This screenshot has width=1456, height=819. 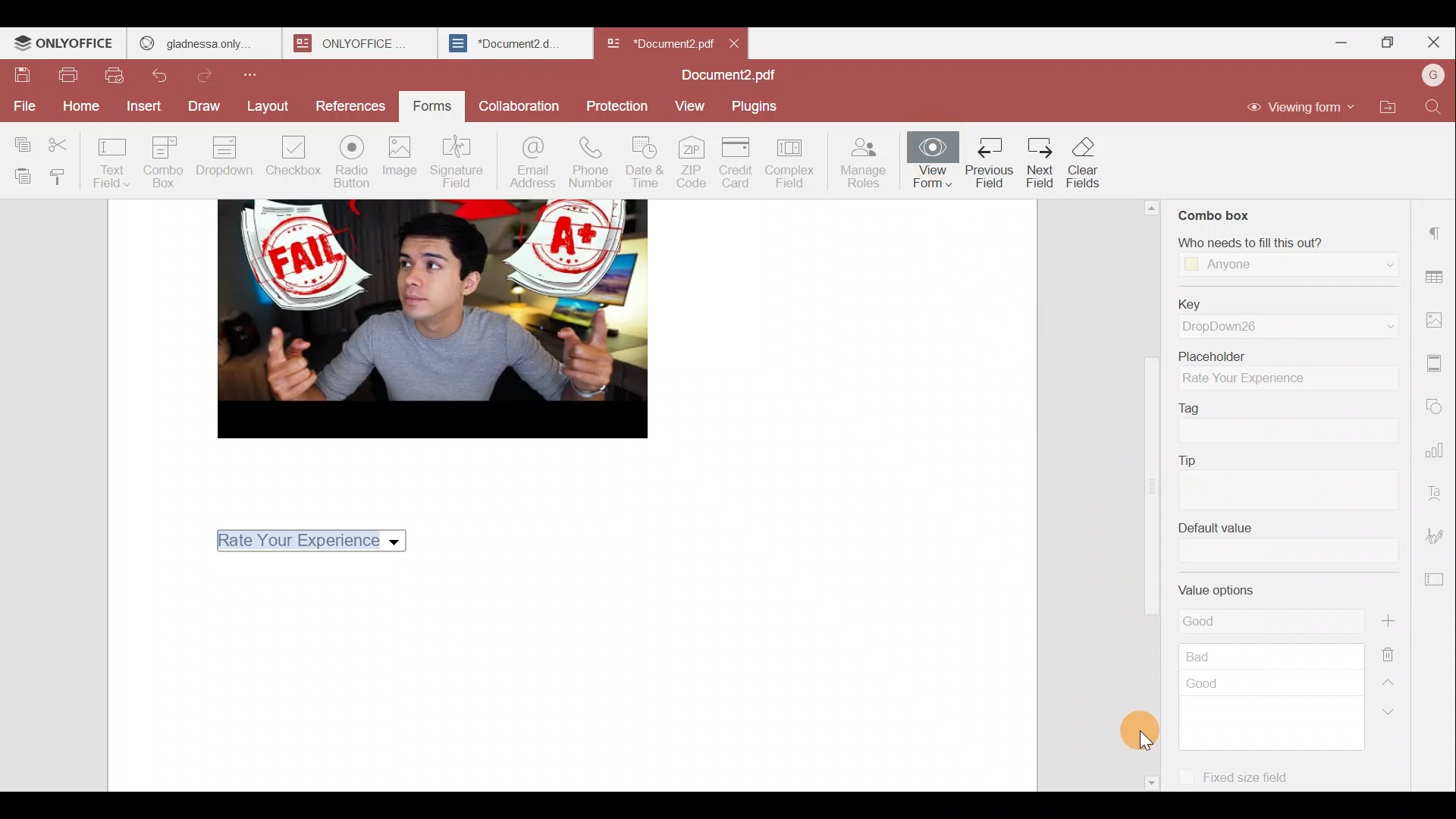 I want to click on Print file, so click(x=68, y=77).